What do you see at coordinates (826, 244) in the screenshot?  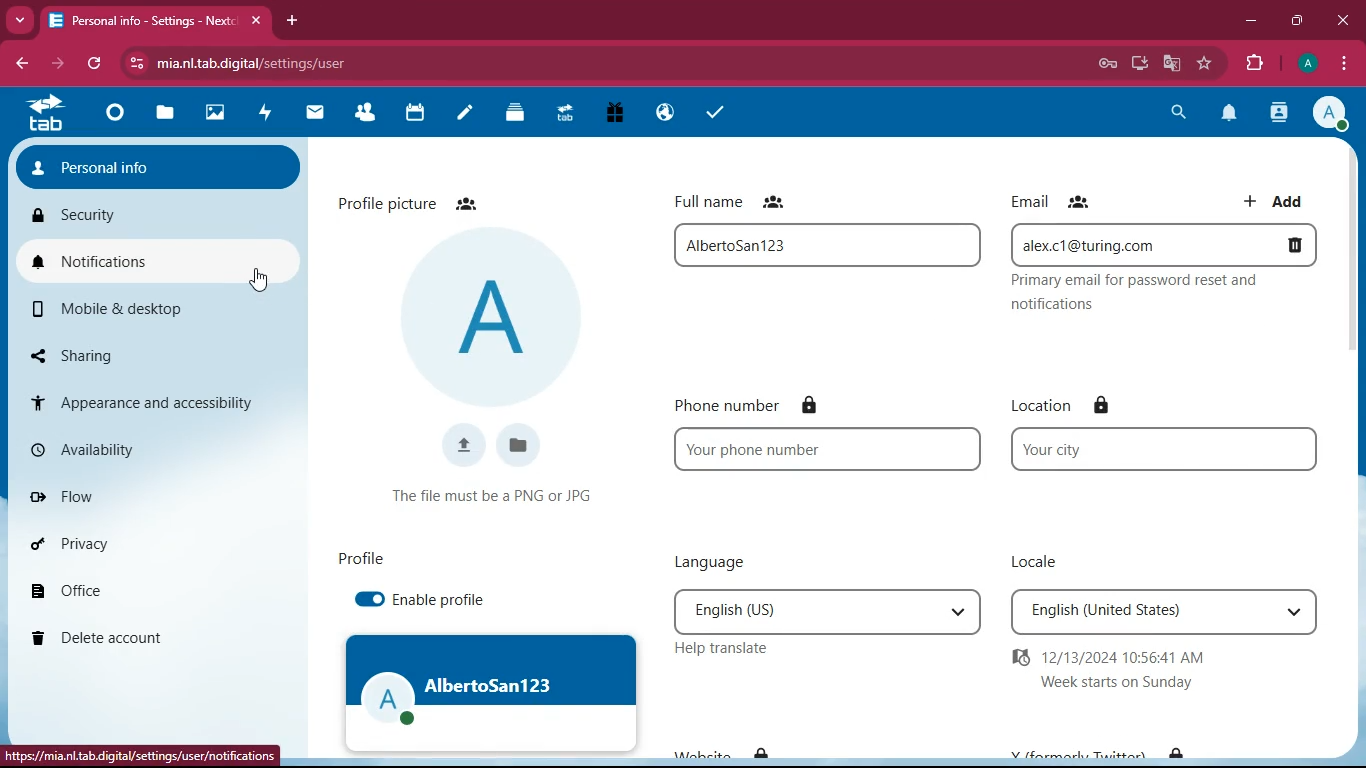 I see `AlbertoSan123` at bounding box center [826, 244].